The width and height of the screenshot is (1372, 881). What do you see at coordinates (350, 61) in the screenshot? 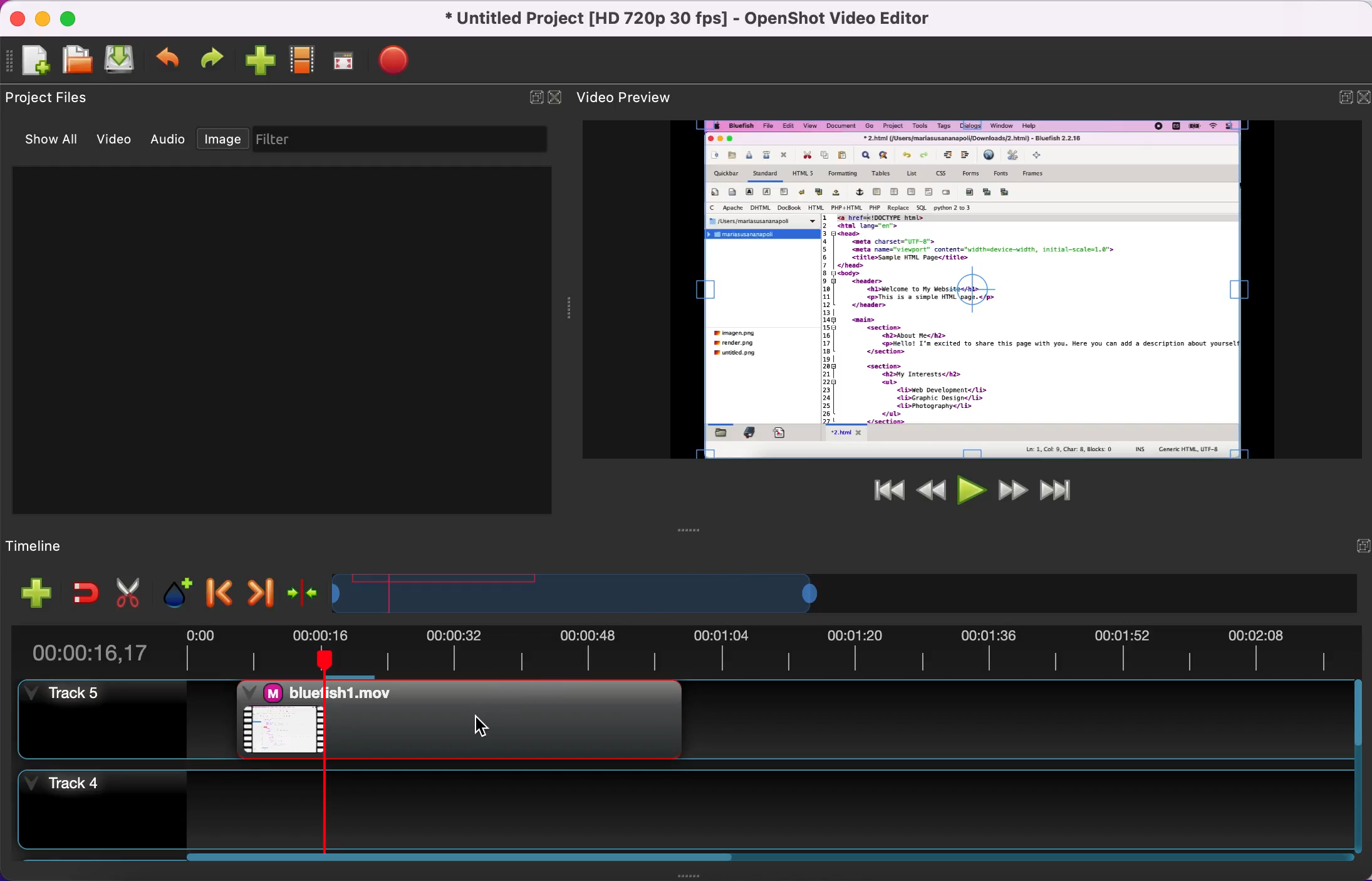
I see `full screen` at bounding box center [350, 61].